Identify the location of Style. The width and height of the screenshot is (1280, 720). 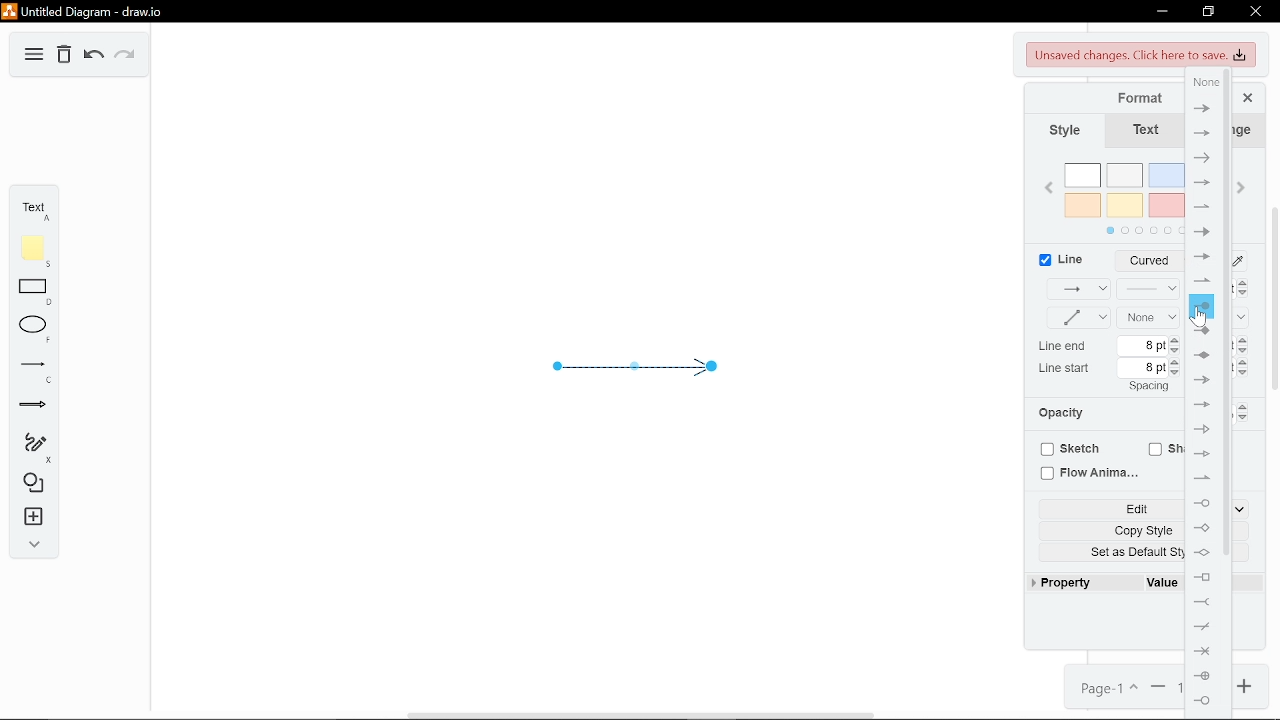
(1070, 133).